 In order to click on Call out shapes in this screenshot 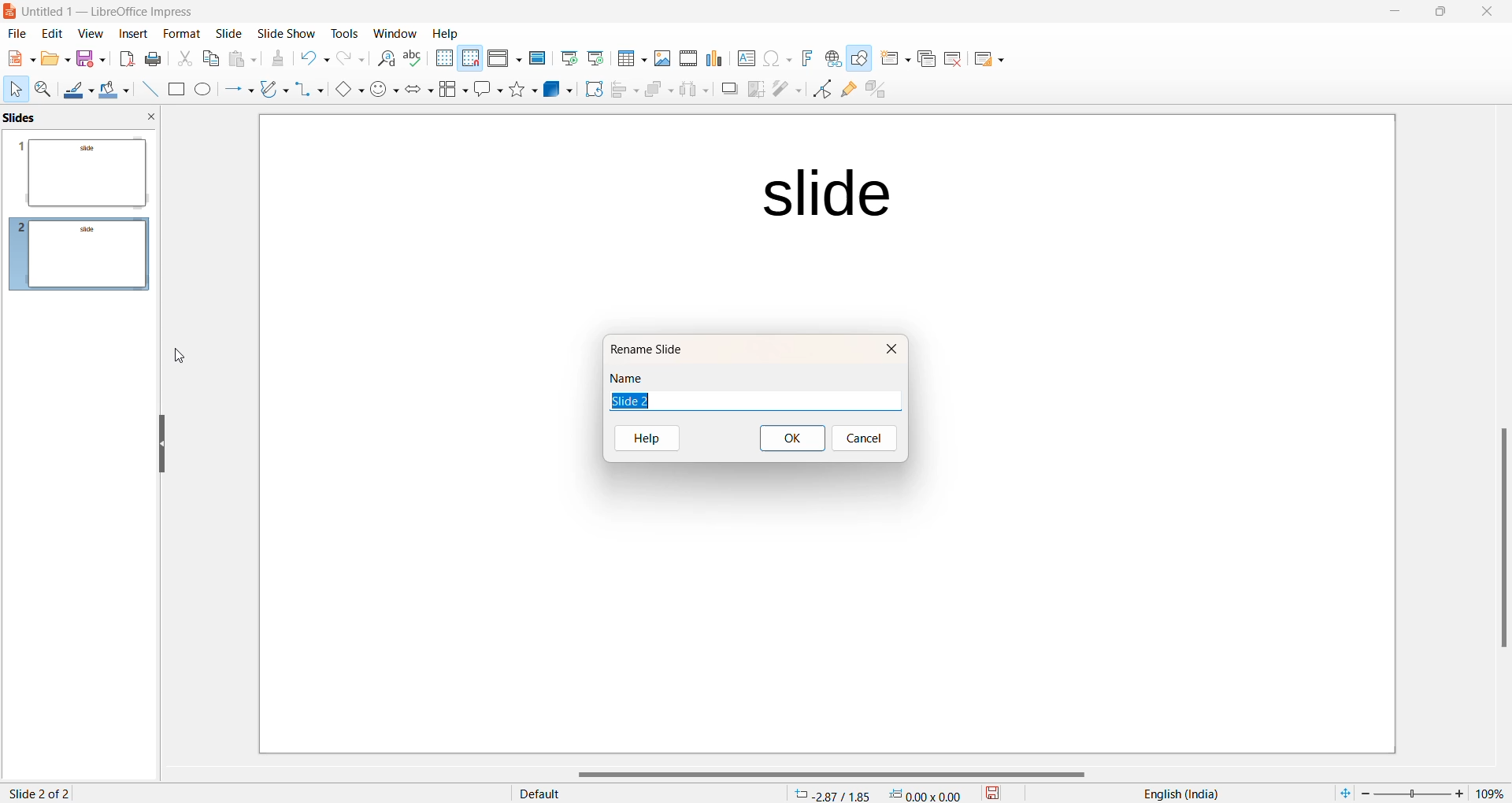, I will do `click(486, 90)`.